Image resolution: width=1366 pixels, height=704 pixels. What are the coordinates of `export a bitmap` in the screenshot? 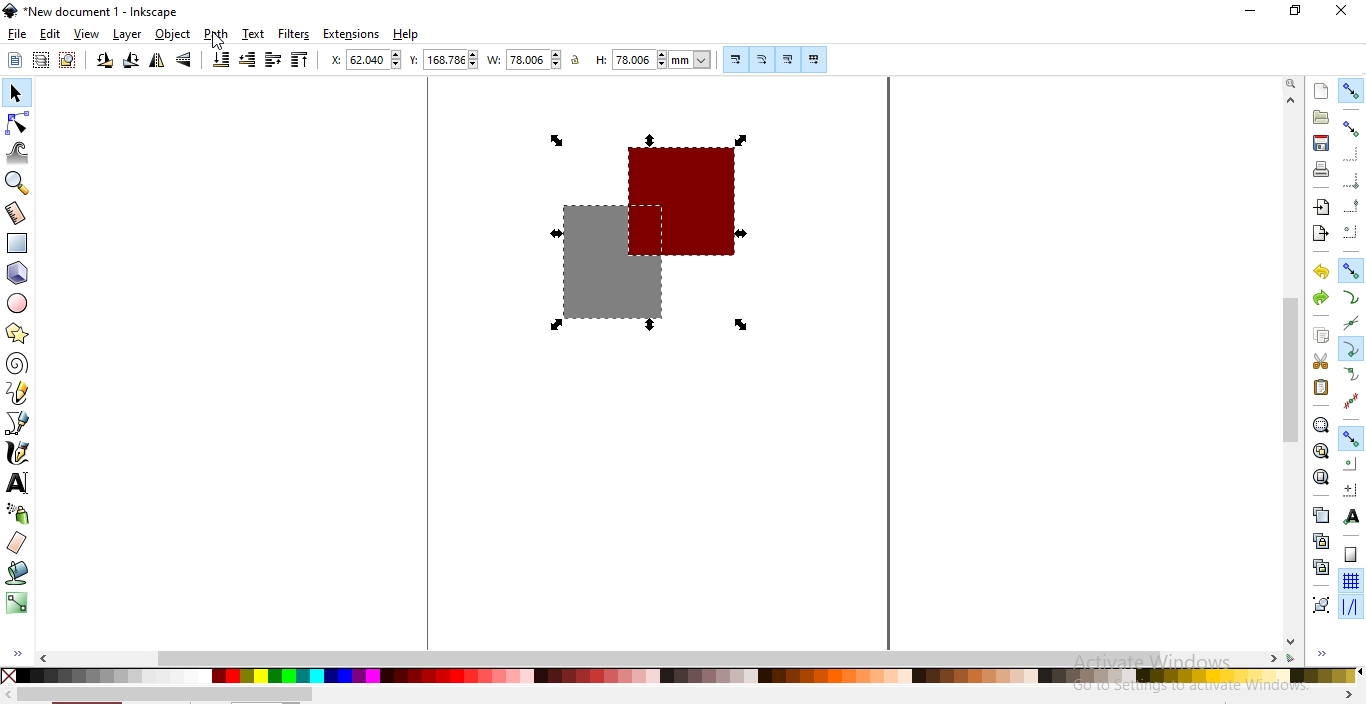 It's located at (1319, 234).